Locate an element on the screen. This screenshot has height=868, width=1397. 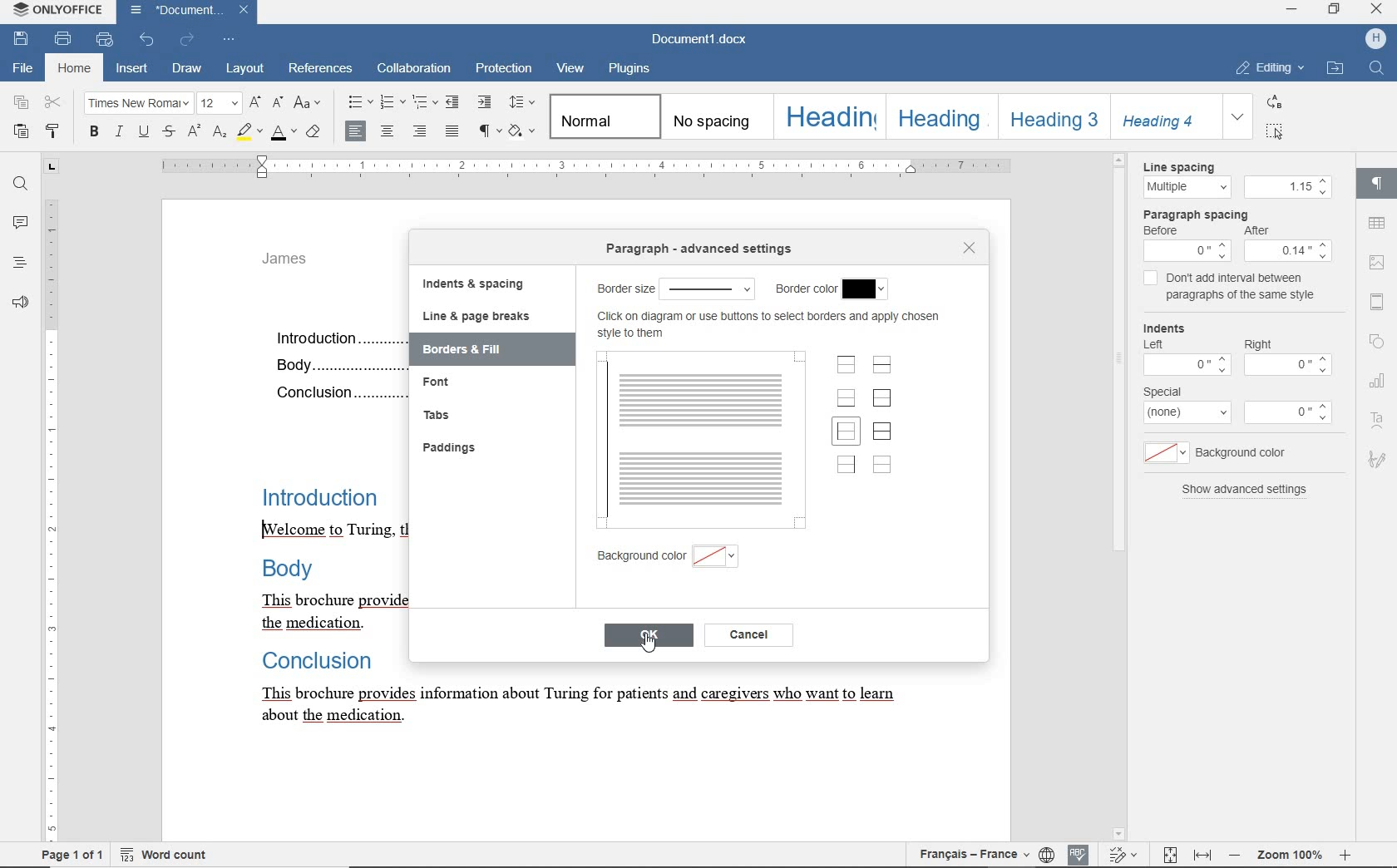
increase indent is located at coordinates (485, 103).